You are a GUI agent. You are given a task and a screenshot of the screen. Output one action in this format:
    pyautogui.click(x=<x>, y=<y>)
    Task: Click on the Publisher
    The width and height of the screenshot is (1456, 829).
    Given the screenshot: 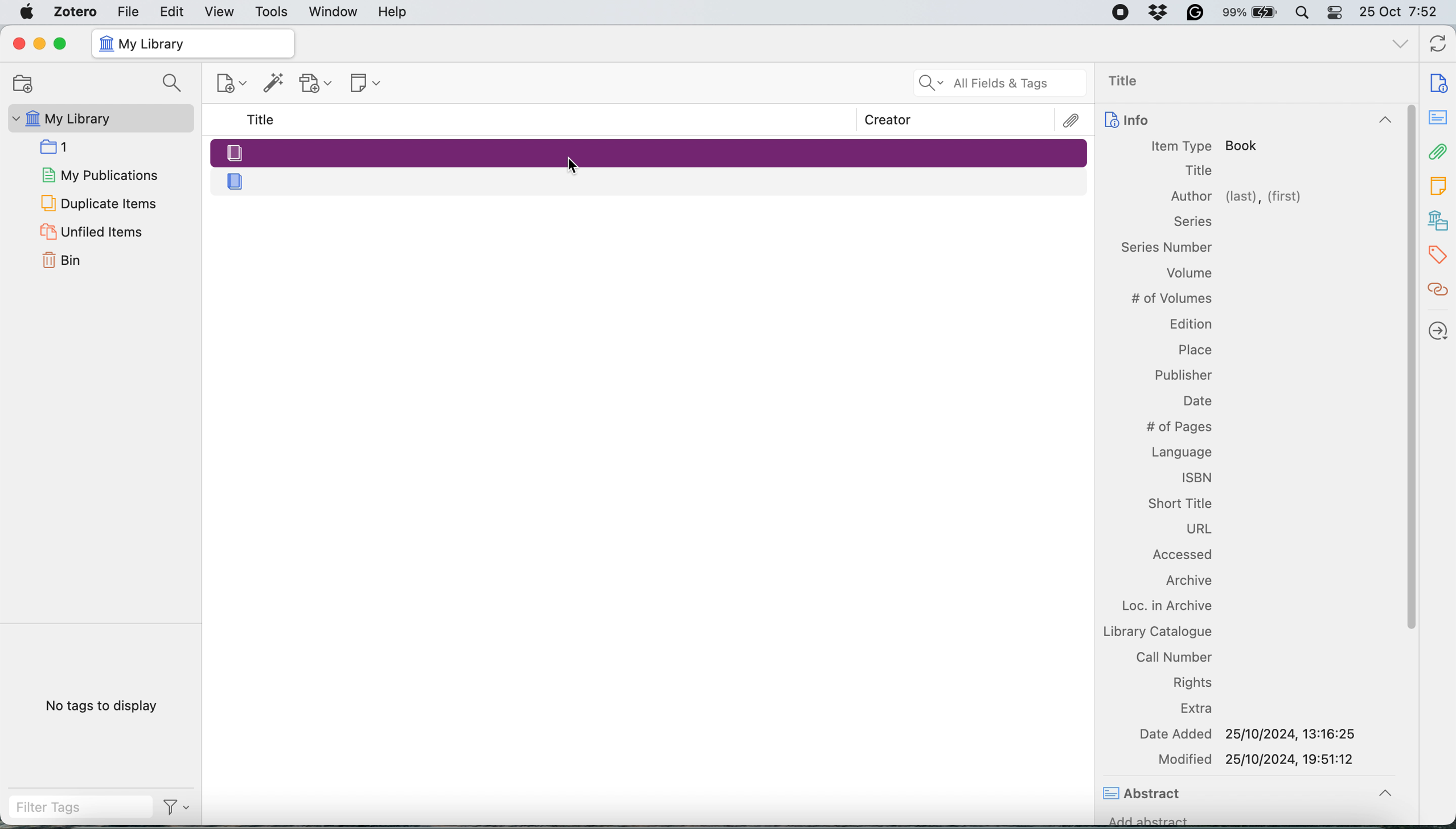 What is the action you would take?
    pyautogui.click(x=1184, y=375)
    